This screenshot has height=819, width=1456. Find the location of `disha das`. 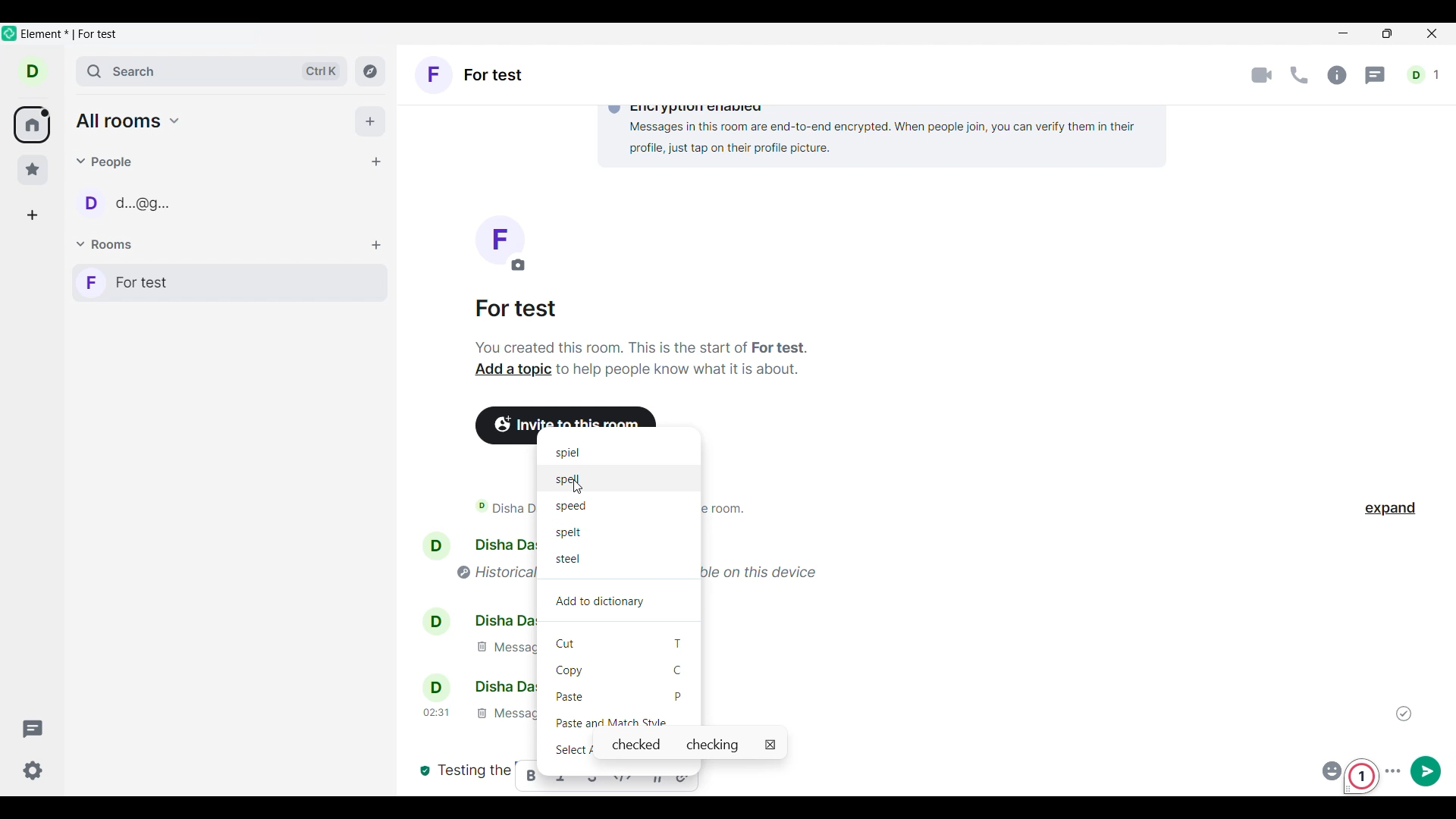

disha das is located at coordinates (477, 544).